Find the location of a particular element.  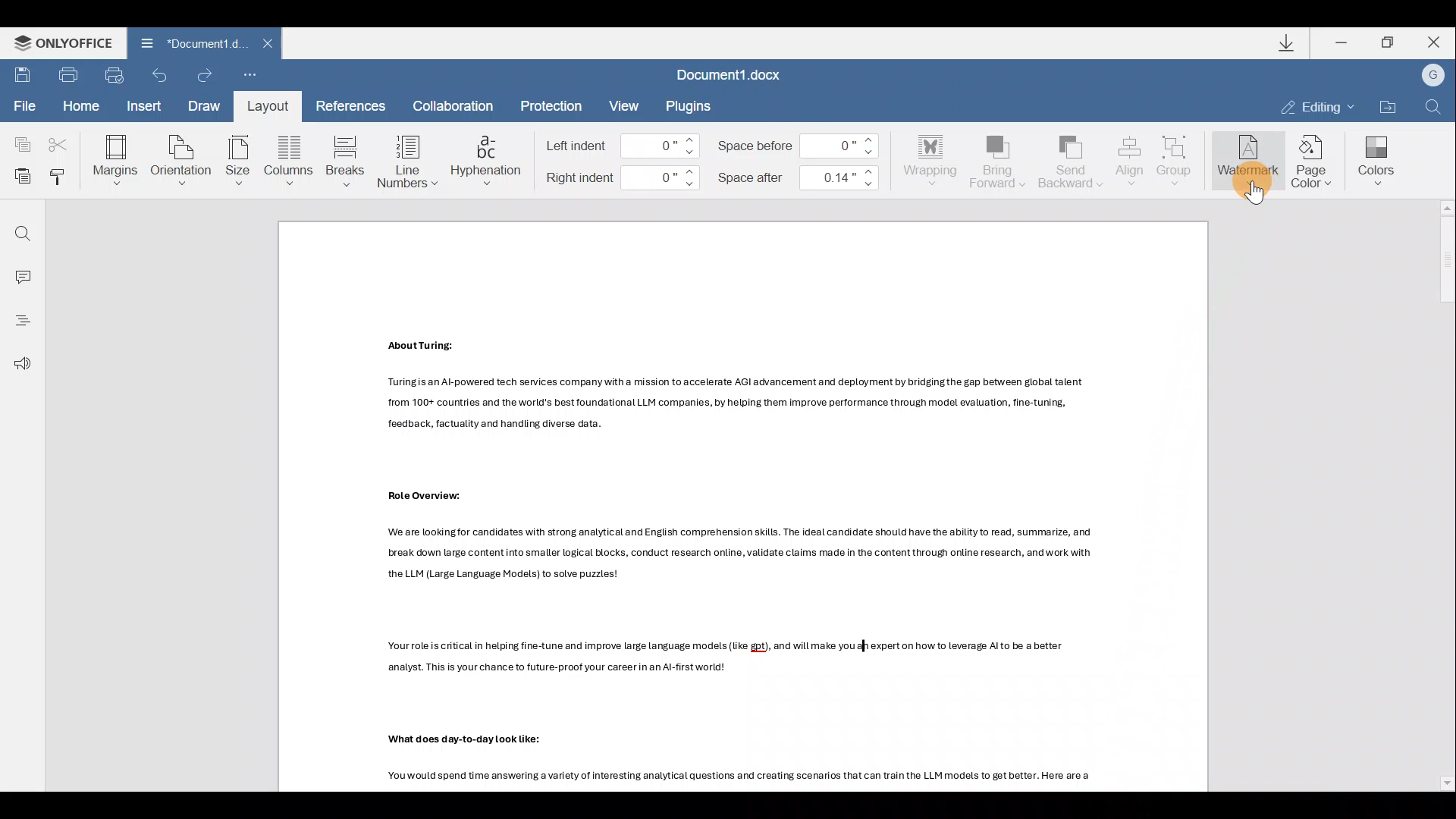

Group is located at coordinates (1179, 157).